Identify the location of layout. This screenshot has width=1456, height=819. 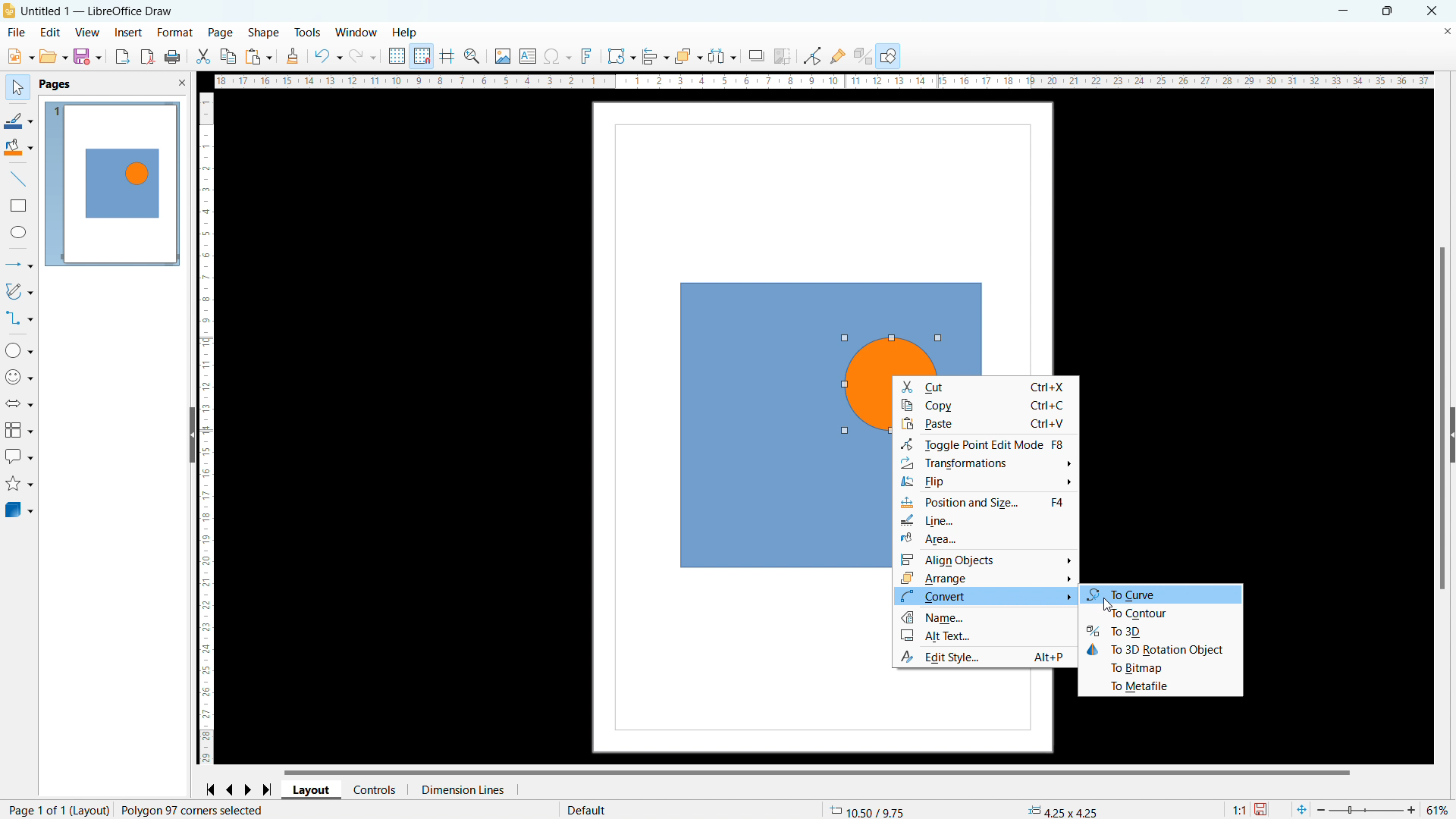
(311, 790).